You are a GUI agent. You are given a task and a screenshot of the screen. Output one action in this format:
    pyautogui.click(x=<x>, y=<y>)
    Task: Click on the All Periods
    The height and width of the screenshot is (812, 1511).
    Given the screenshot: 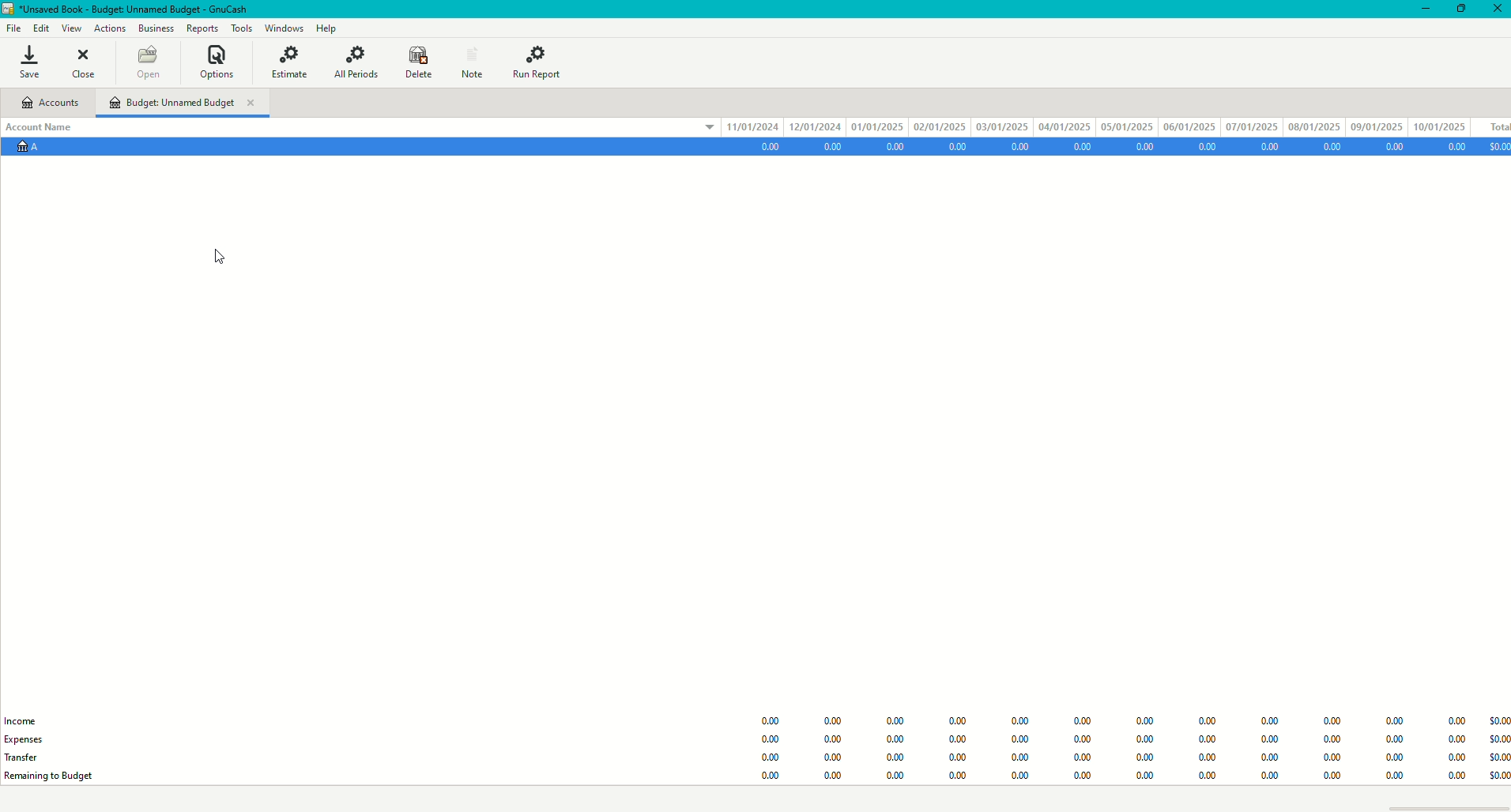 What is the action you would take?
    pyautogui.click(x=354, y=60)
    